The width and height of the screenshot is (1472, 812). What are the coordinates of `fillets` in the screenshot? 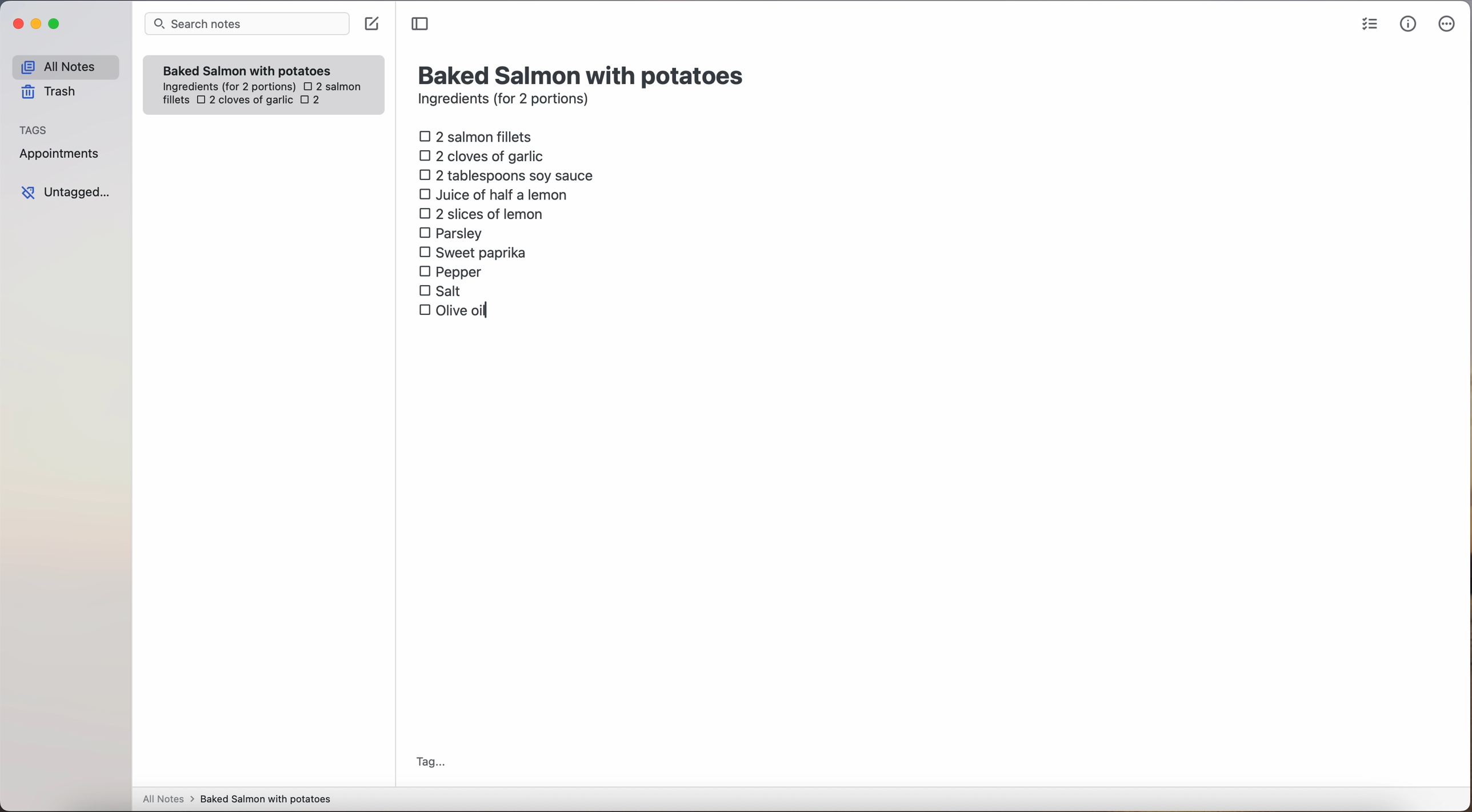 It's located at (177, 101).